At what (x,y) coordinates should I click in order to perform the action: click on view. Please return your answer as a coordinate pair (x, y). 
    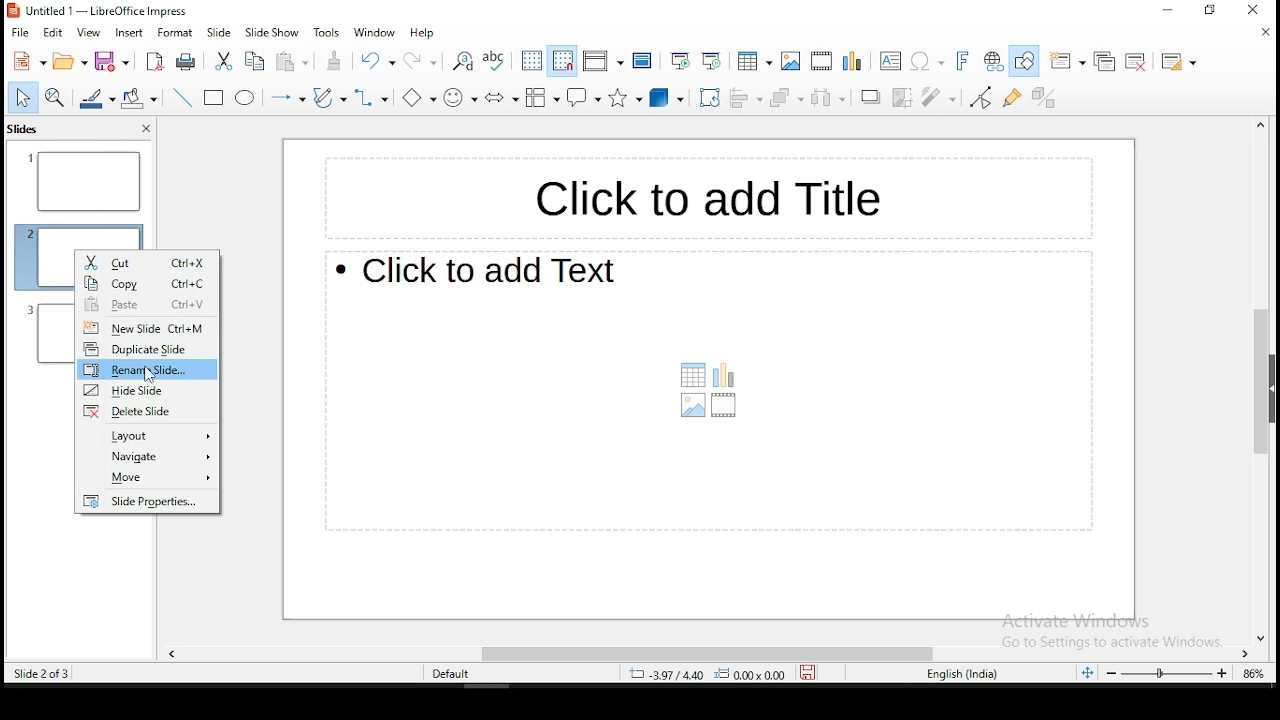
    Looking at the image, I should click on (90, 34).